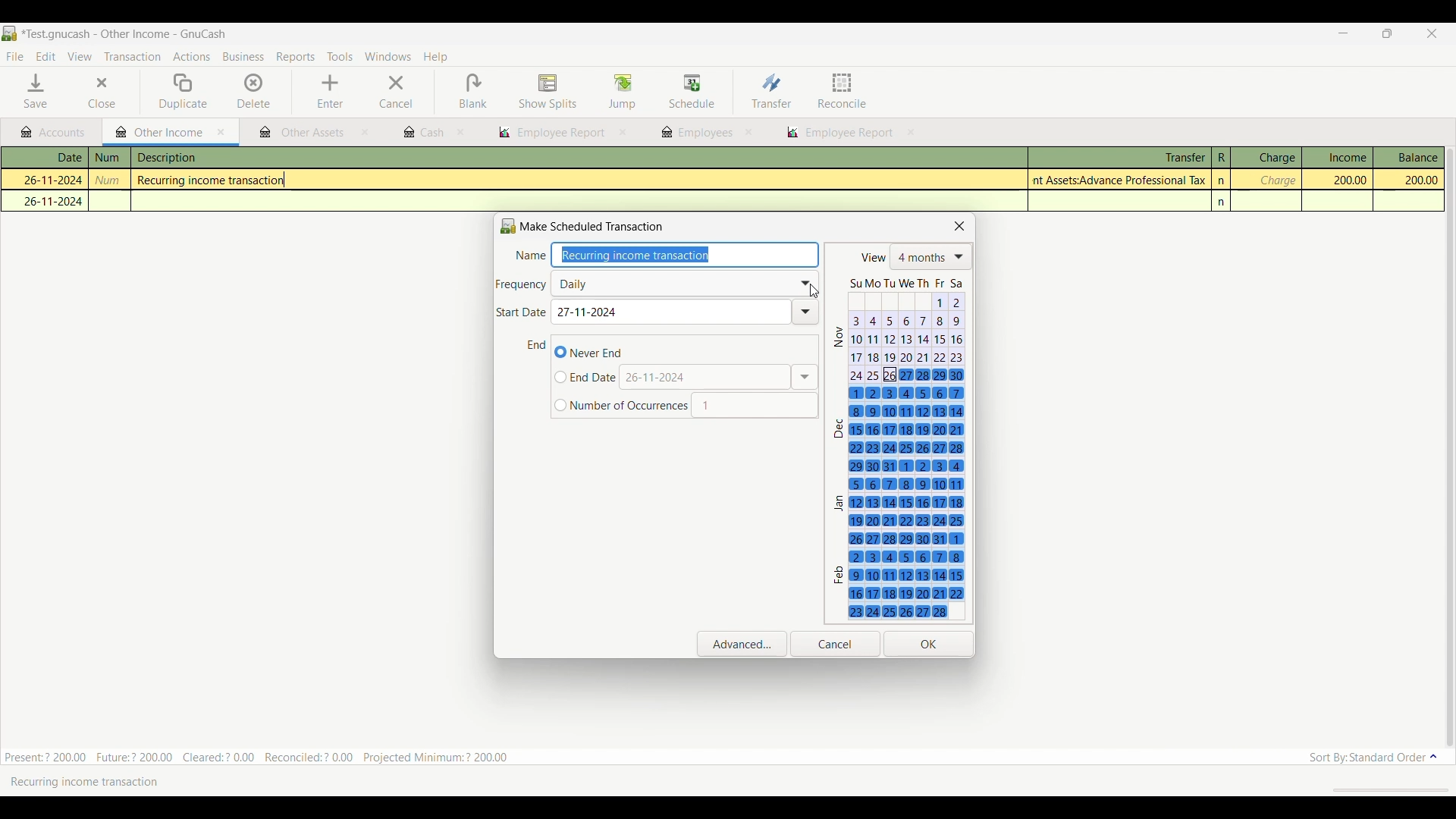 The height and width of the screenshot is (819, 1456). Describe the element at coordinates (537, 345) in the screenshot. I see `Indicates end date of transaction` at that location.